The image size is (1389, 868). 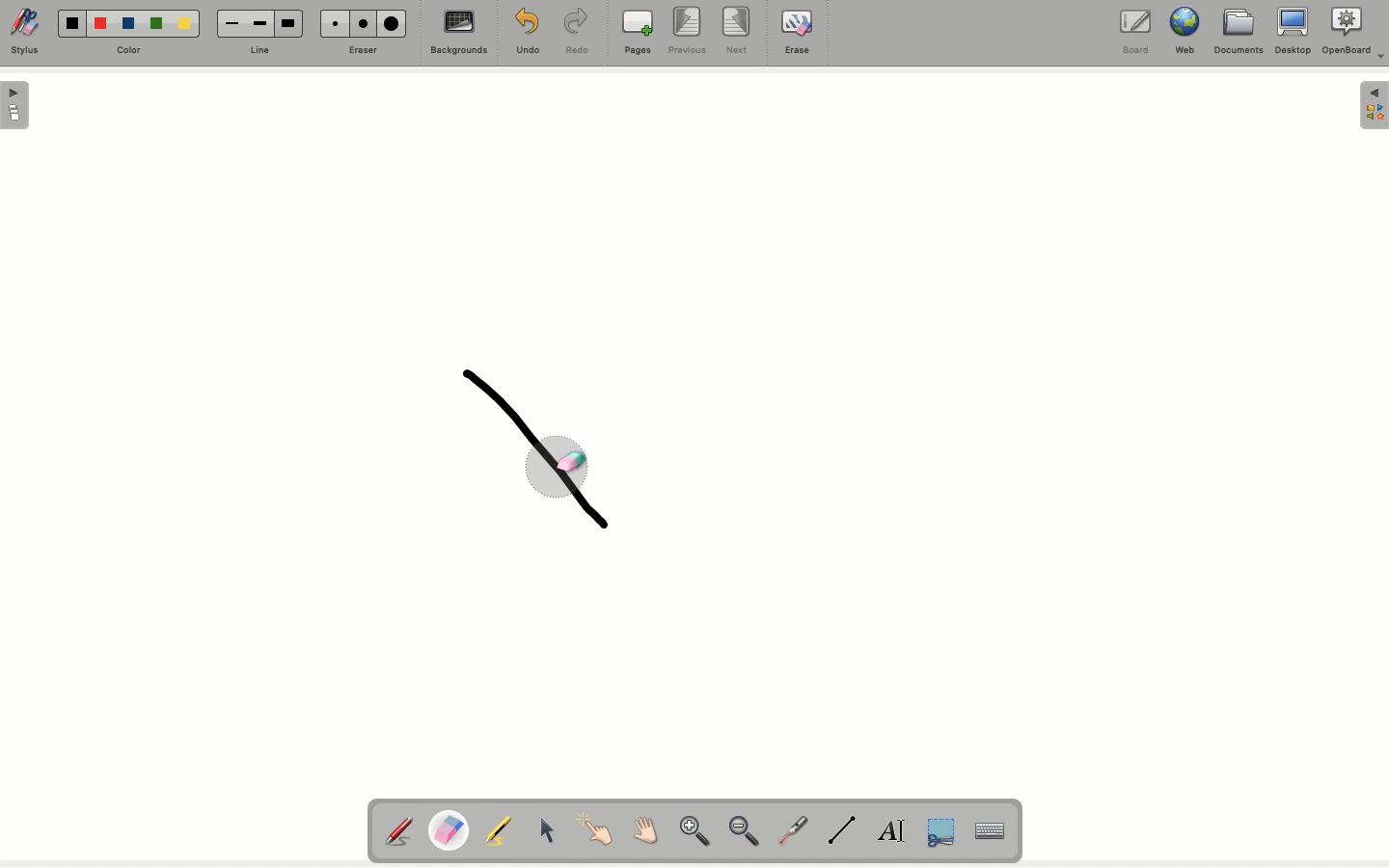 What do you see at coordinates (991, 830) in the screenshot?
I see `Keyboard` at bounding box center [991, 830].